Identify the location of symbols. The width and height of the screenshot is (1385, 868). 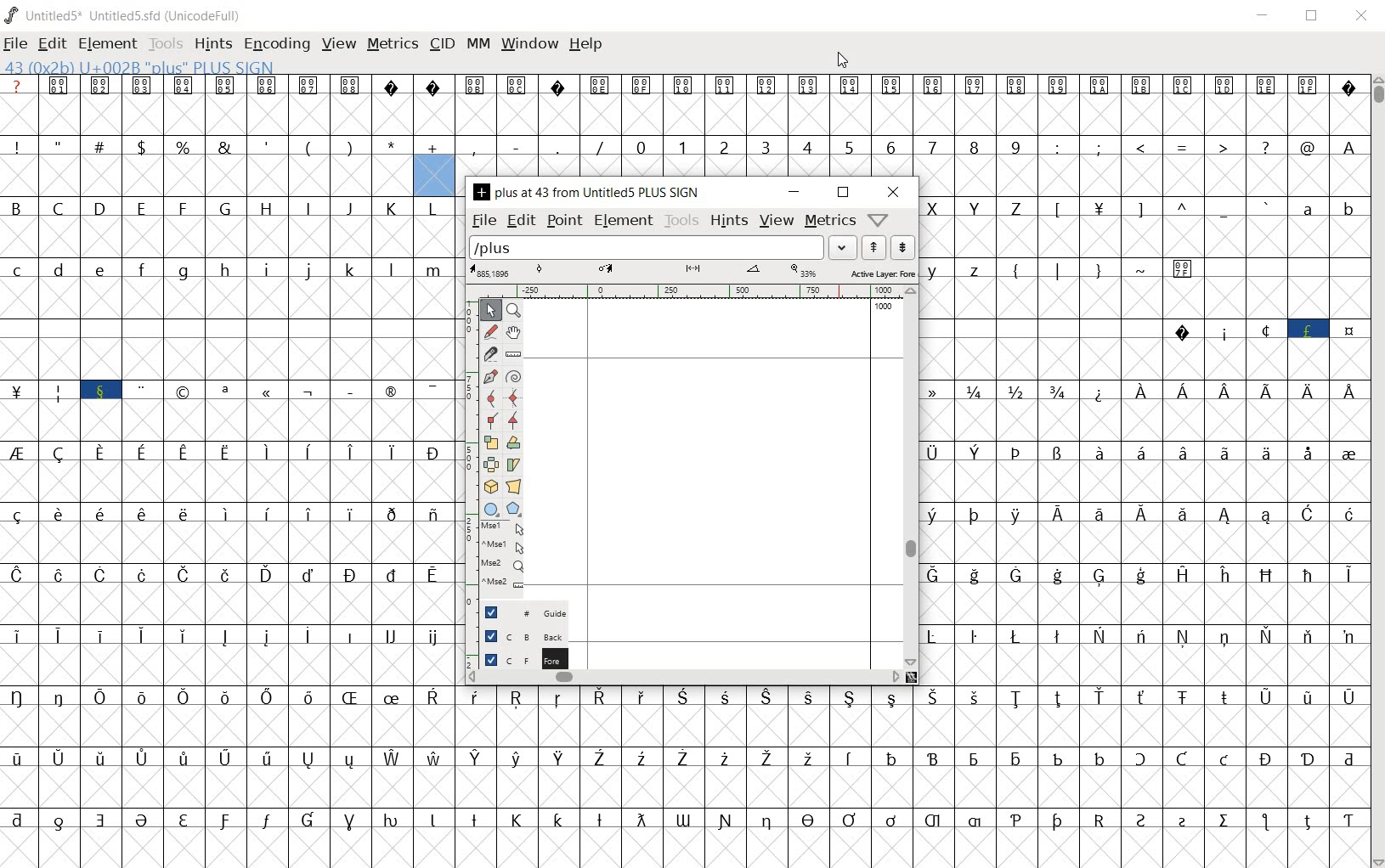
(684, 104).